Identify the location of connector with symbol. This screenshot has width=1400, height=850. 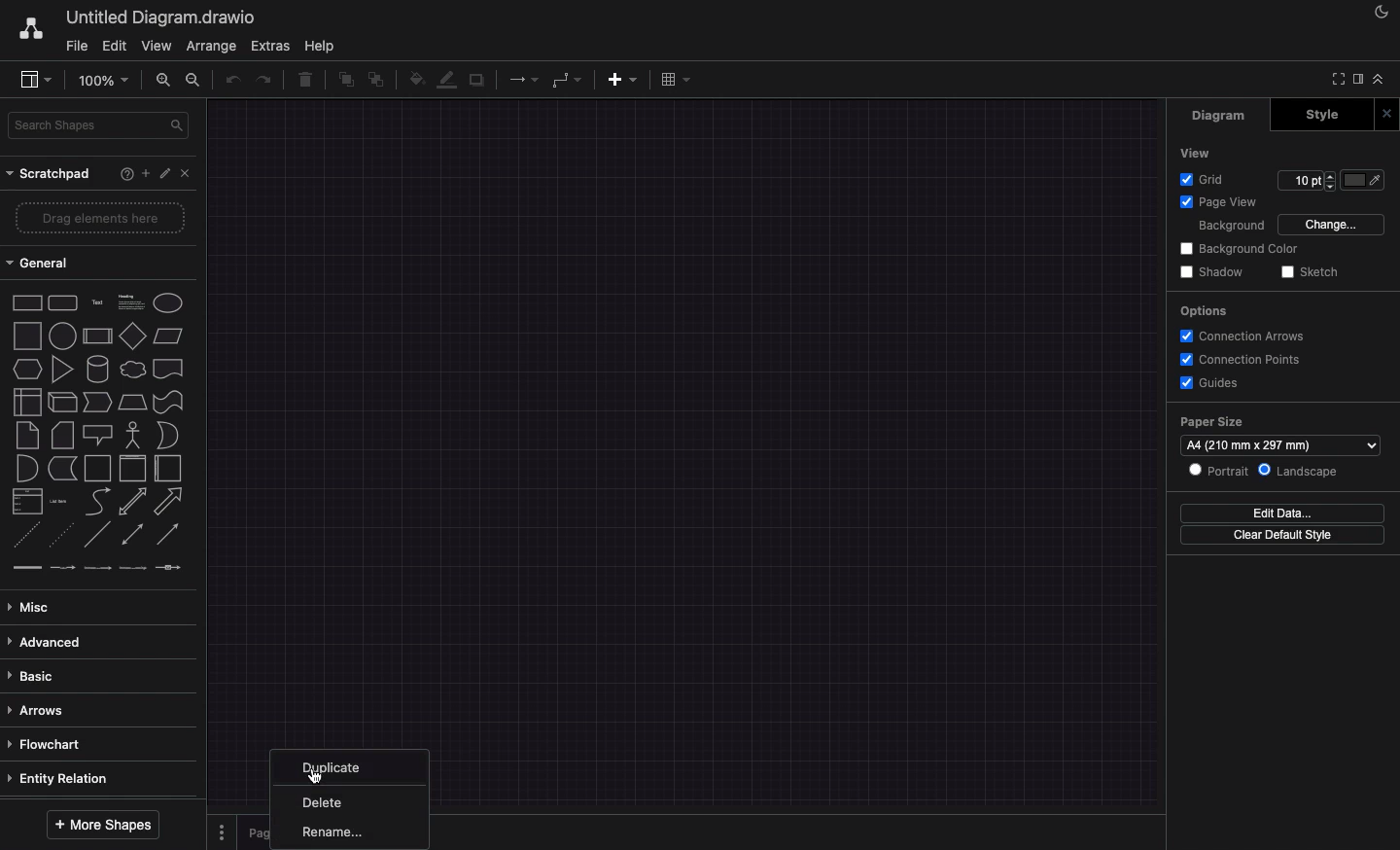
(169, 566).